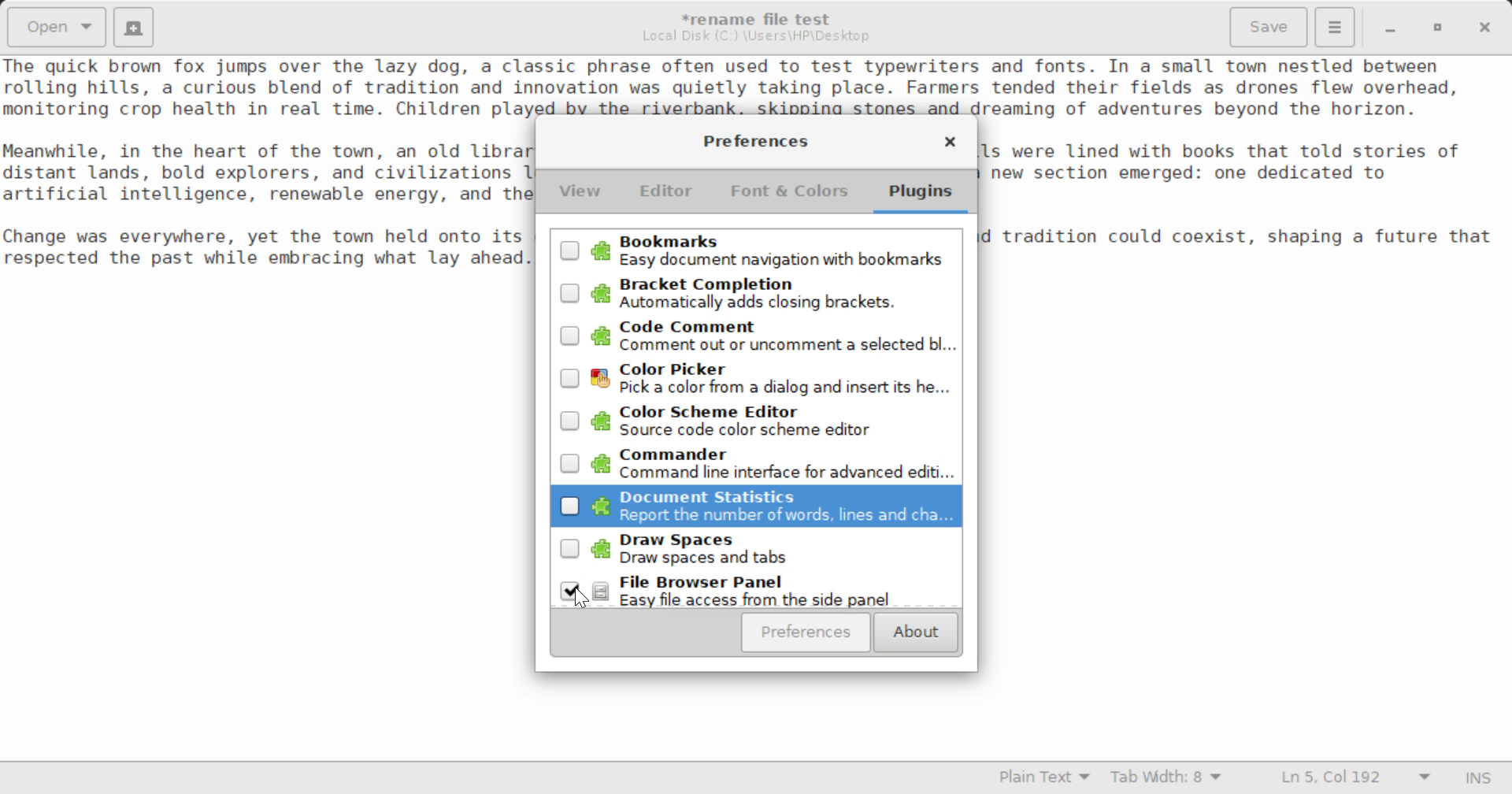 The height and width of the screenshot is (794, 1512). What do you see at coordinates (580, 195) in the screenshot?
I see `View Tab` at bounding box center [580, 195].